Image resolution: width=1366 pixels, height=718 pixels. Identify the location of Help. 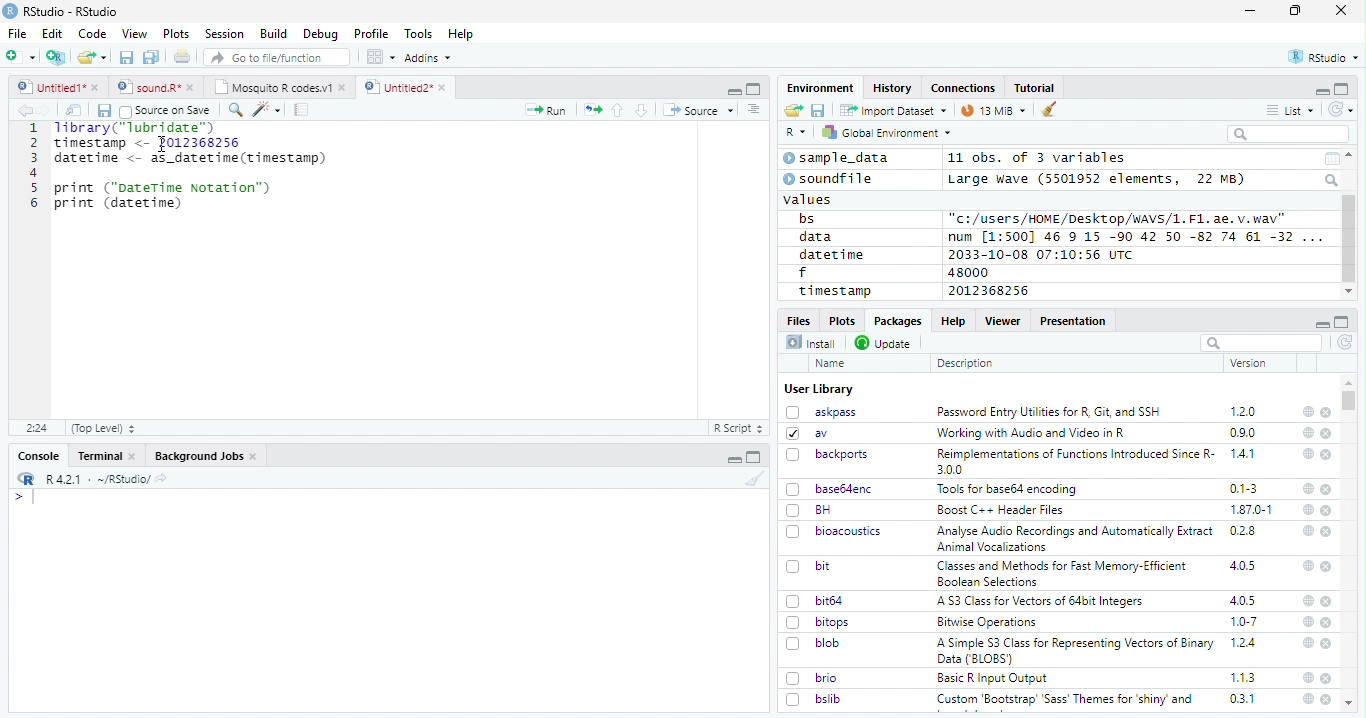
(952, 320).